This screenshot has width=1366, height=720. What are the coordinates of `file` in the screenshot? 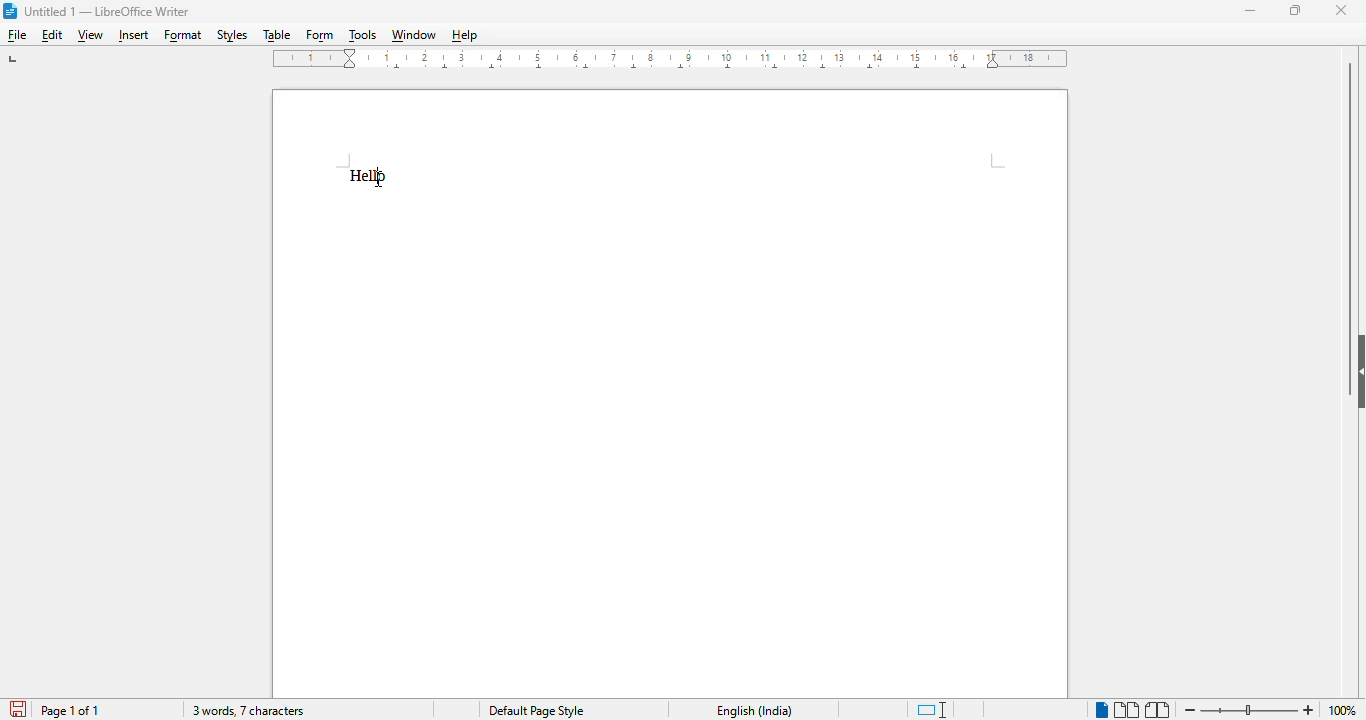 It's located at (18, 36).